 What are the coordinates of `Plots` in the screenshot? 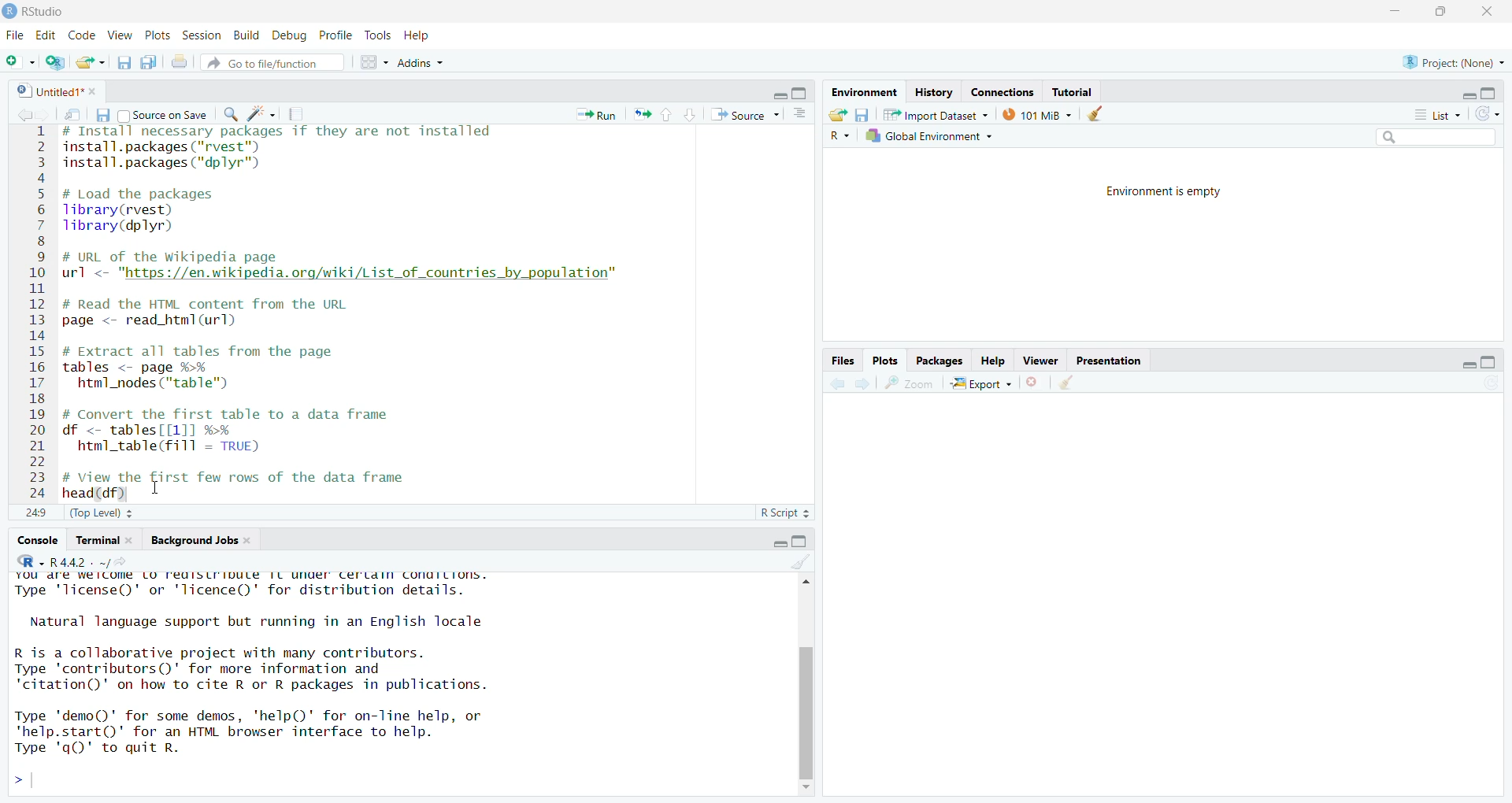 It's located at (884, 360).